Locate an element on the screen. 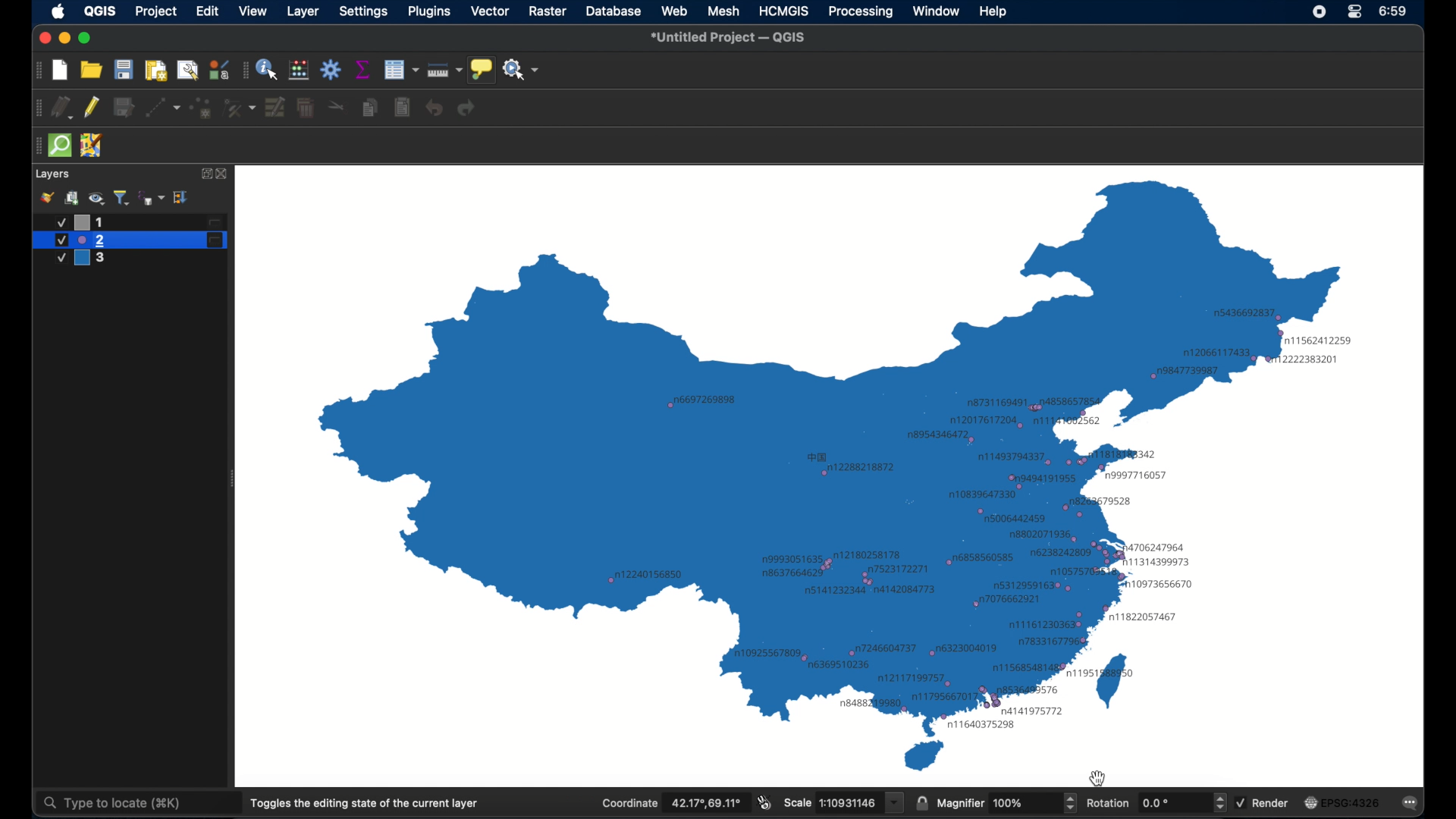  layer  3 is located at coordinates (89, 259).